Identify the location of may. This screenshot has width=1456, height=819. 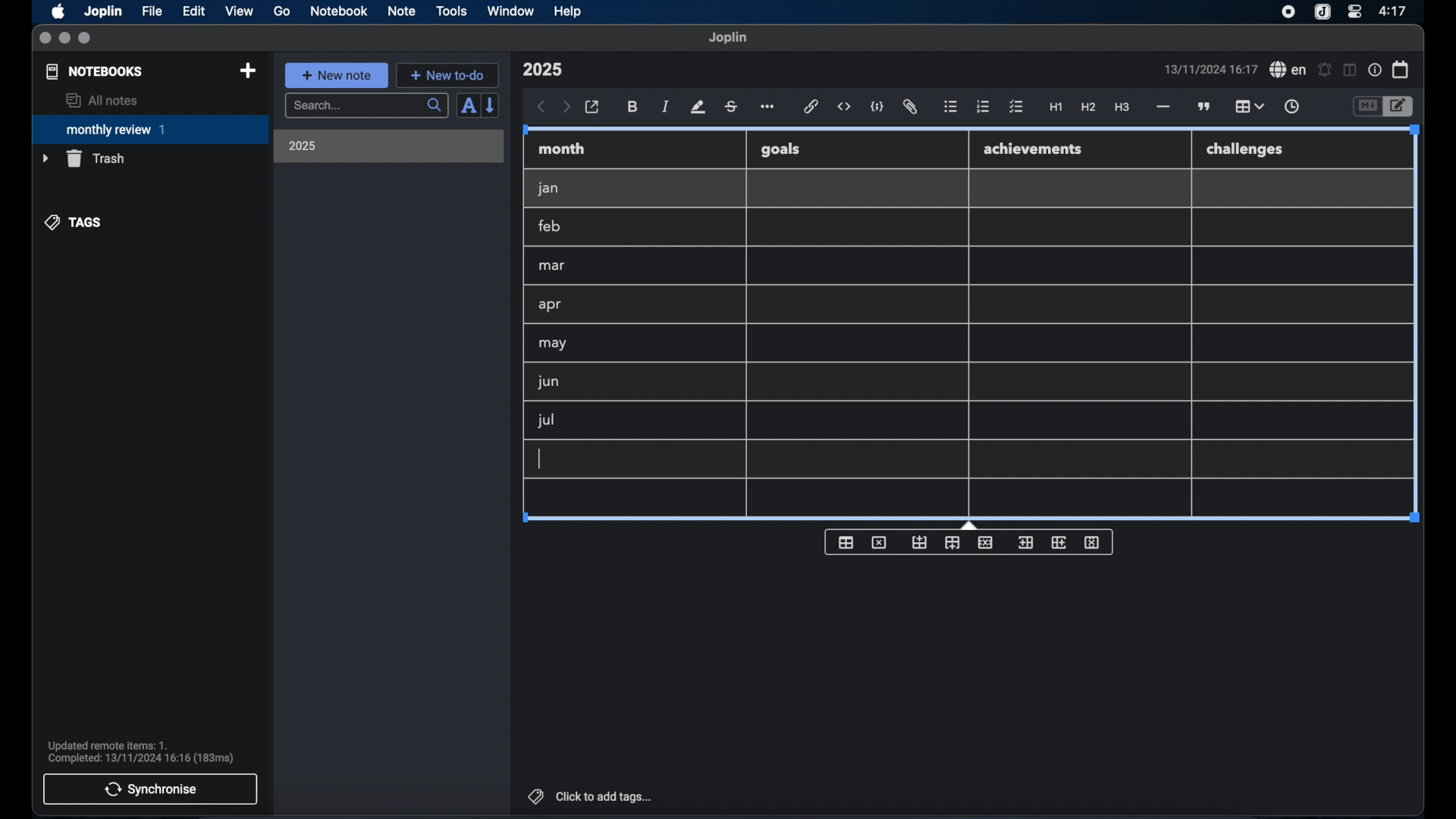
(552, 344).